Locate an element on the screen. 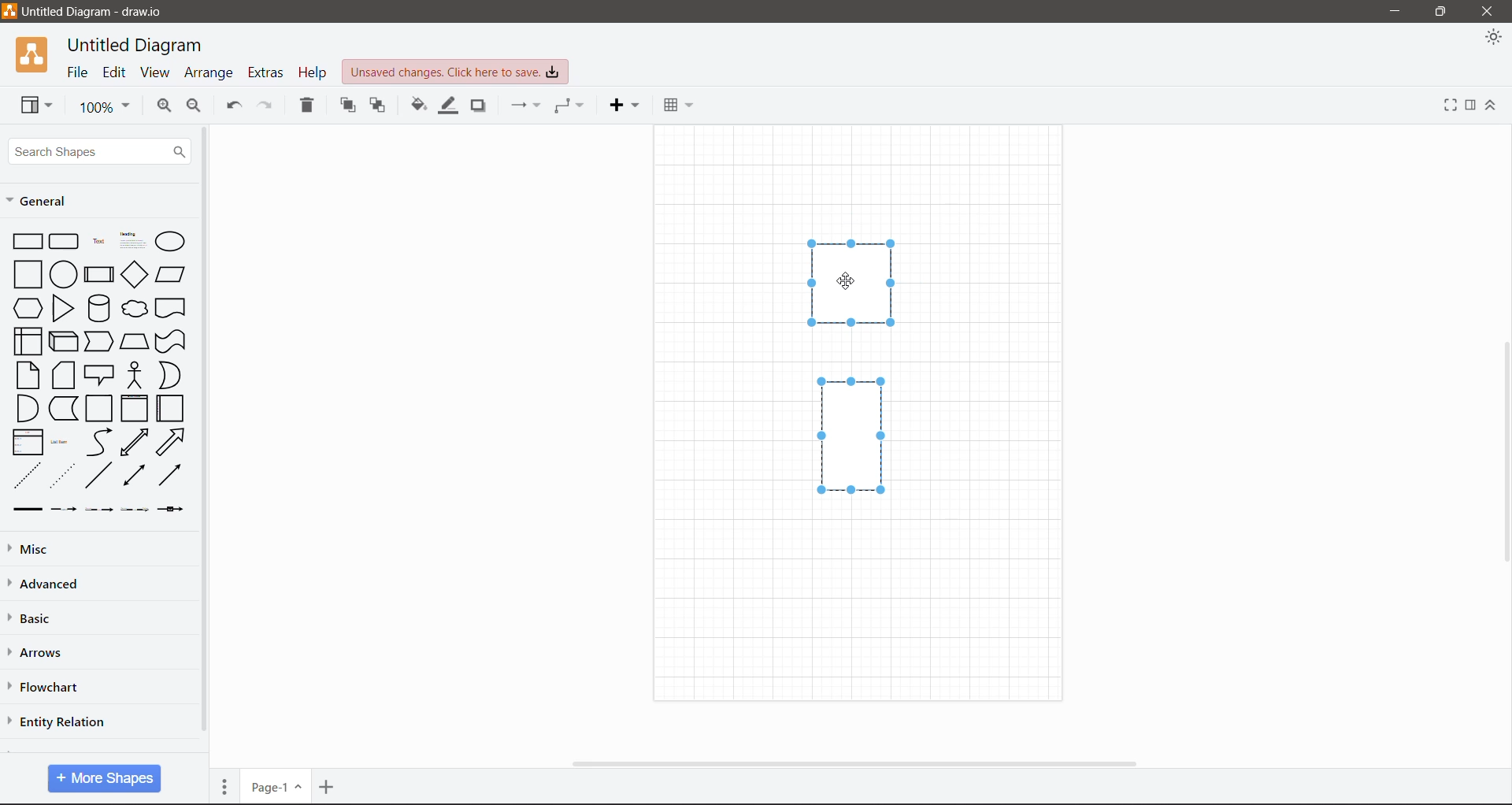  Search Shapes is located at coordinates (98, 150).